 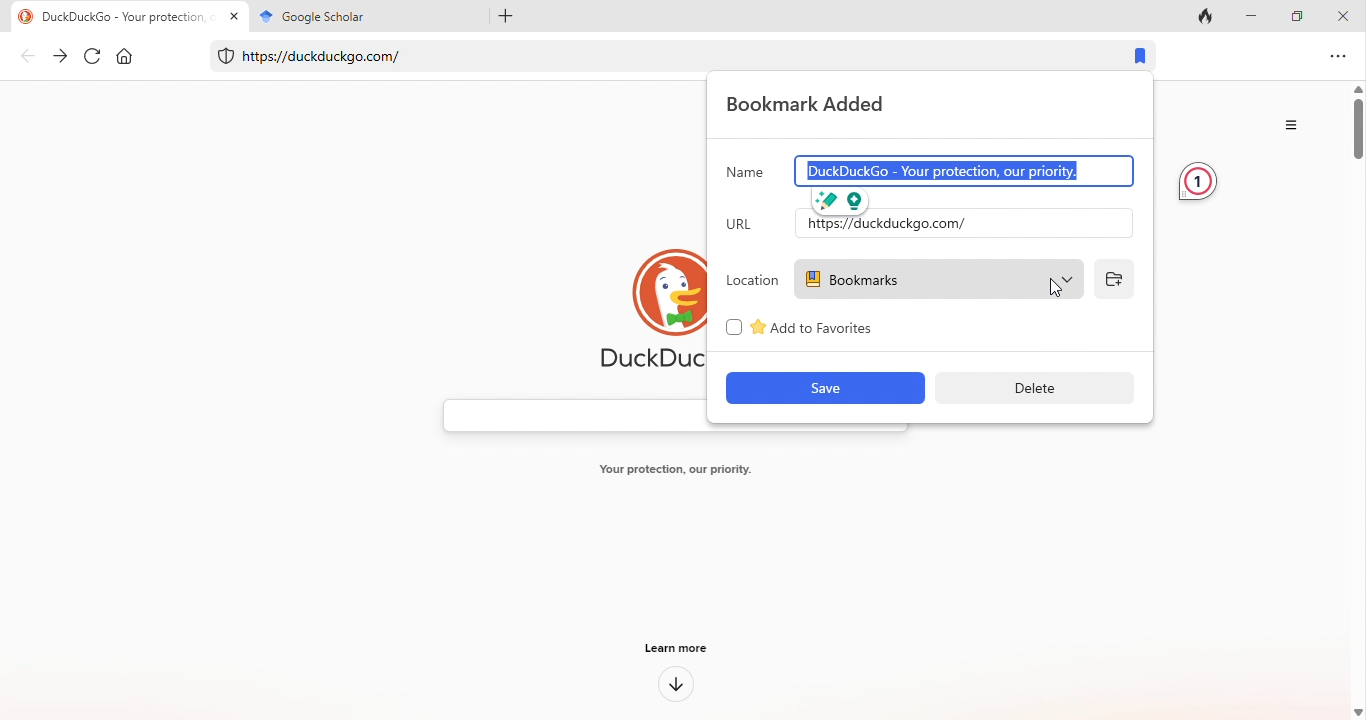 I want to click on refresh, so click(x=94, y=57).